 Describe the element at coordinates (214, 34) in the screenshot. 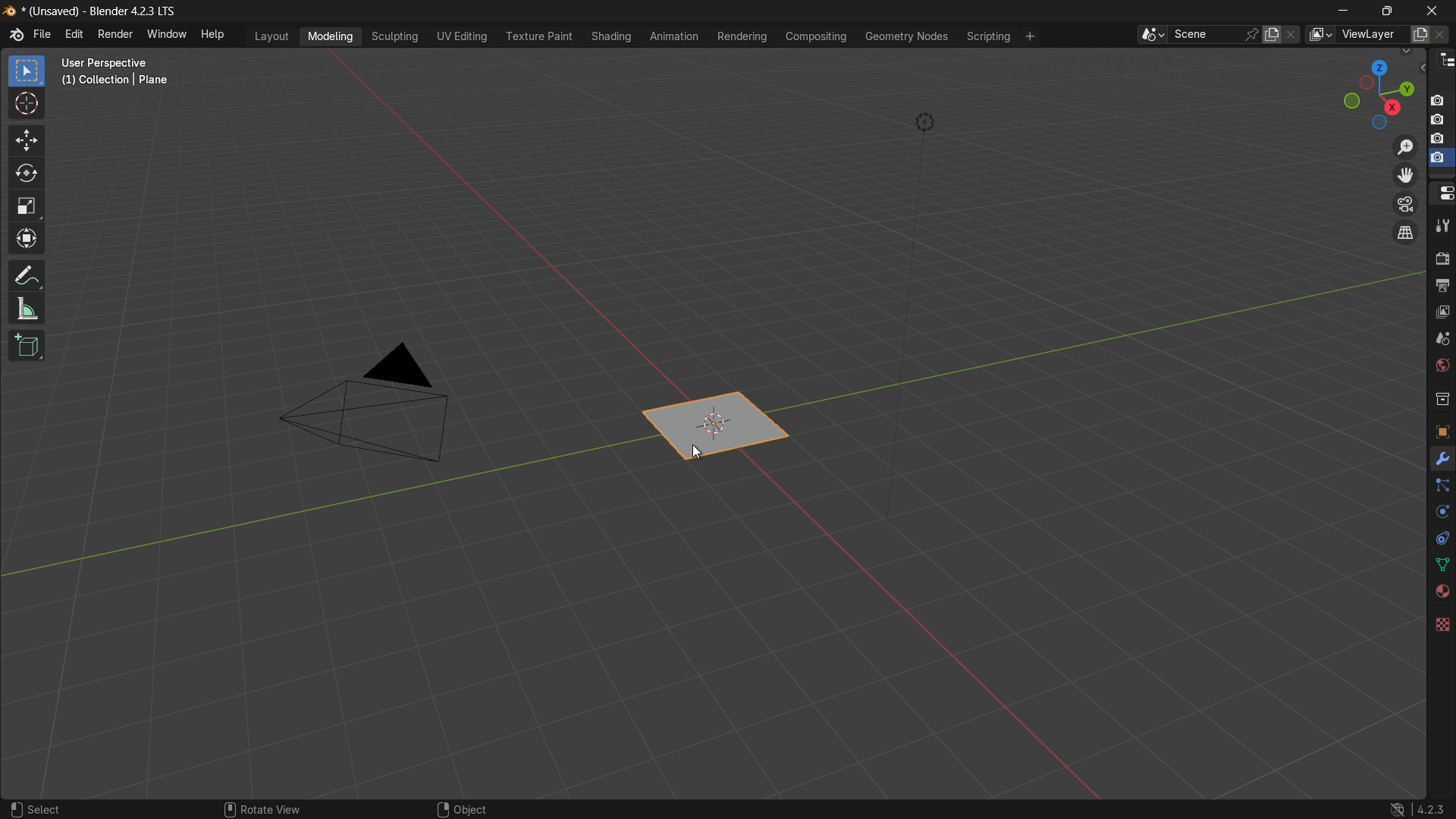

I see `help menu` at that location.